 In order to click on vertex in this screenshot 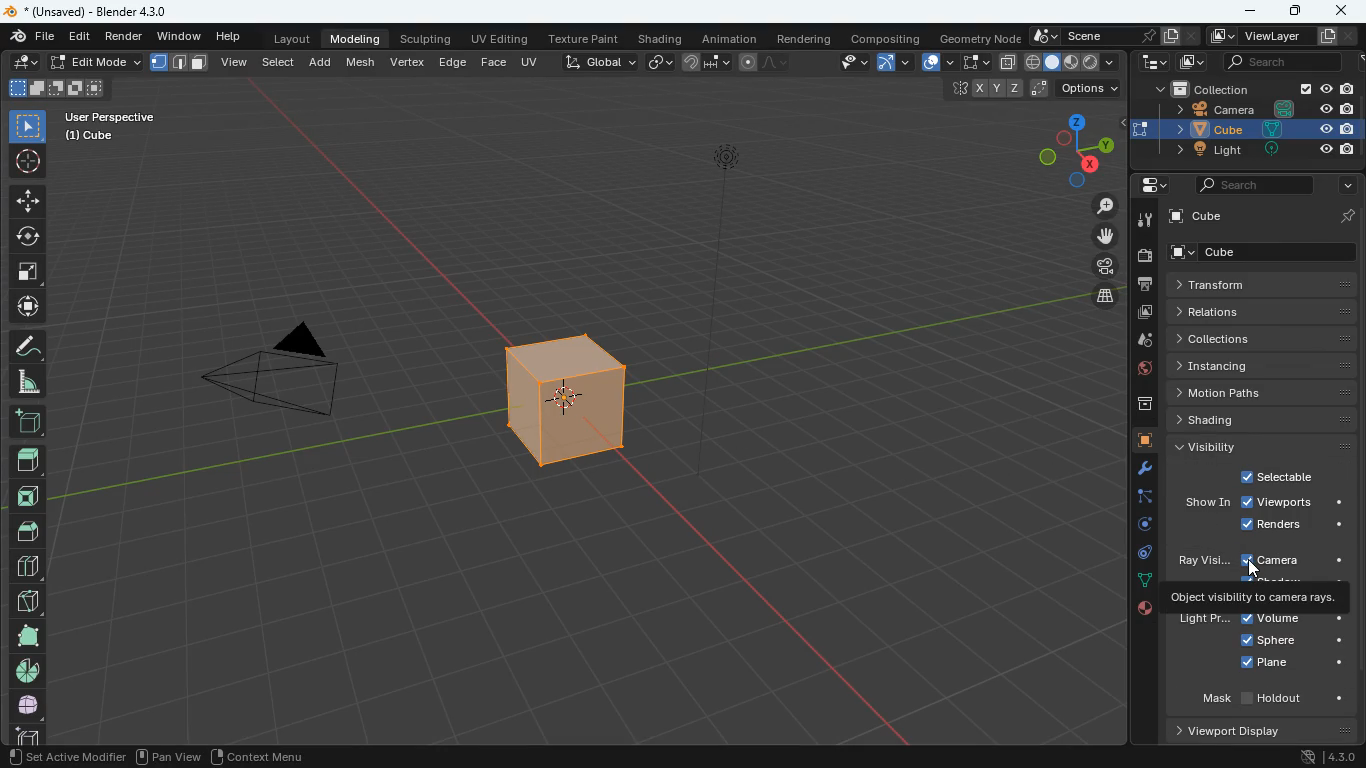, I will do `click(407, 65)`.